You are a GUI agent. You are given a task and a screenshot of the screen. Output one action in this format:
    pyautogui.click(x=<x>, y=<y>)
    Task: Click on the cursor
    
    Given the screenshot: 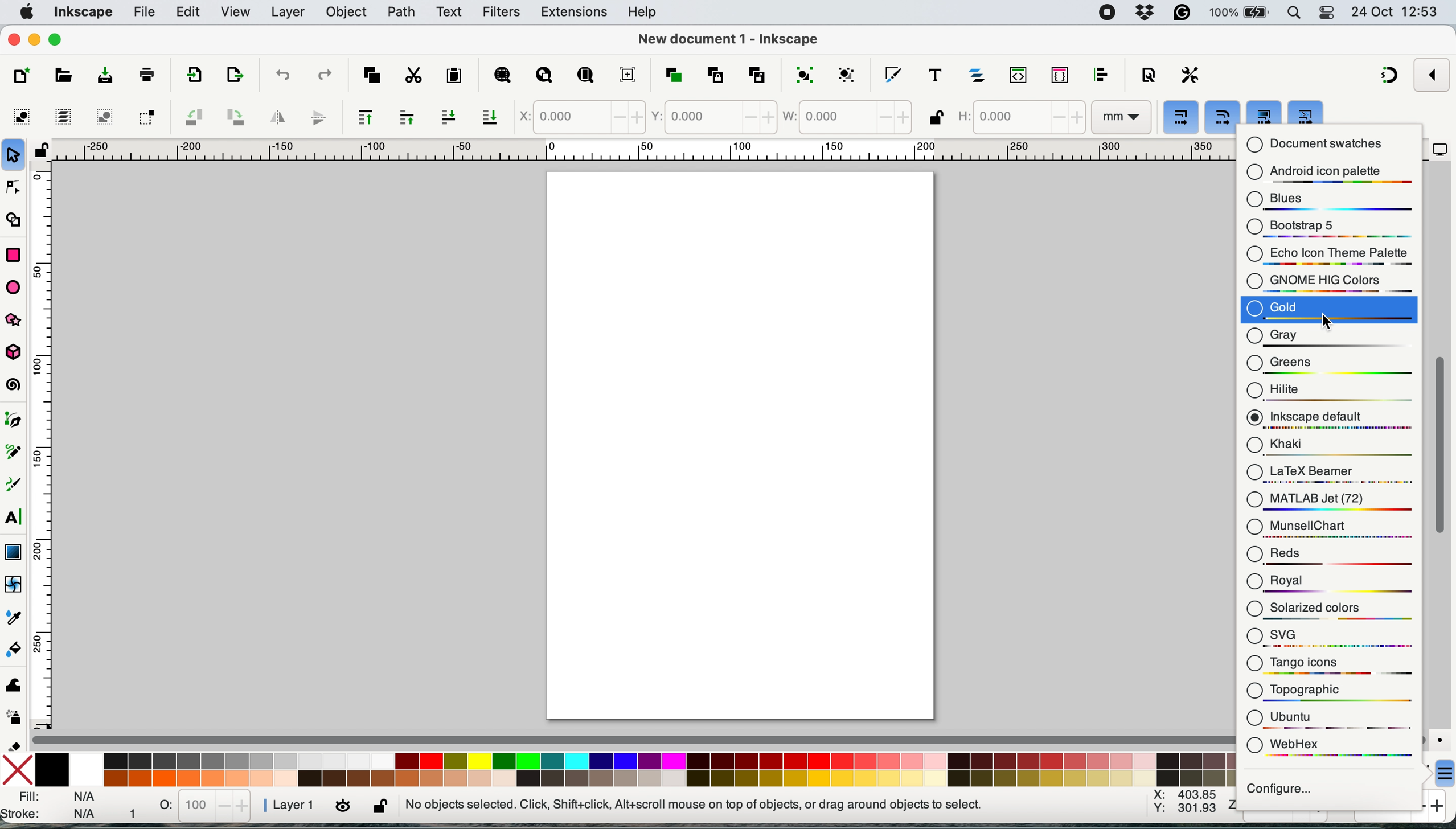 What is the action you would take?
    pyautogui.click(x=1440, y=778)
    